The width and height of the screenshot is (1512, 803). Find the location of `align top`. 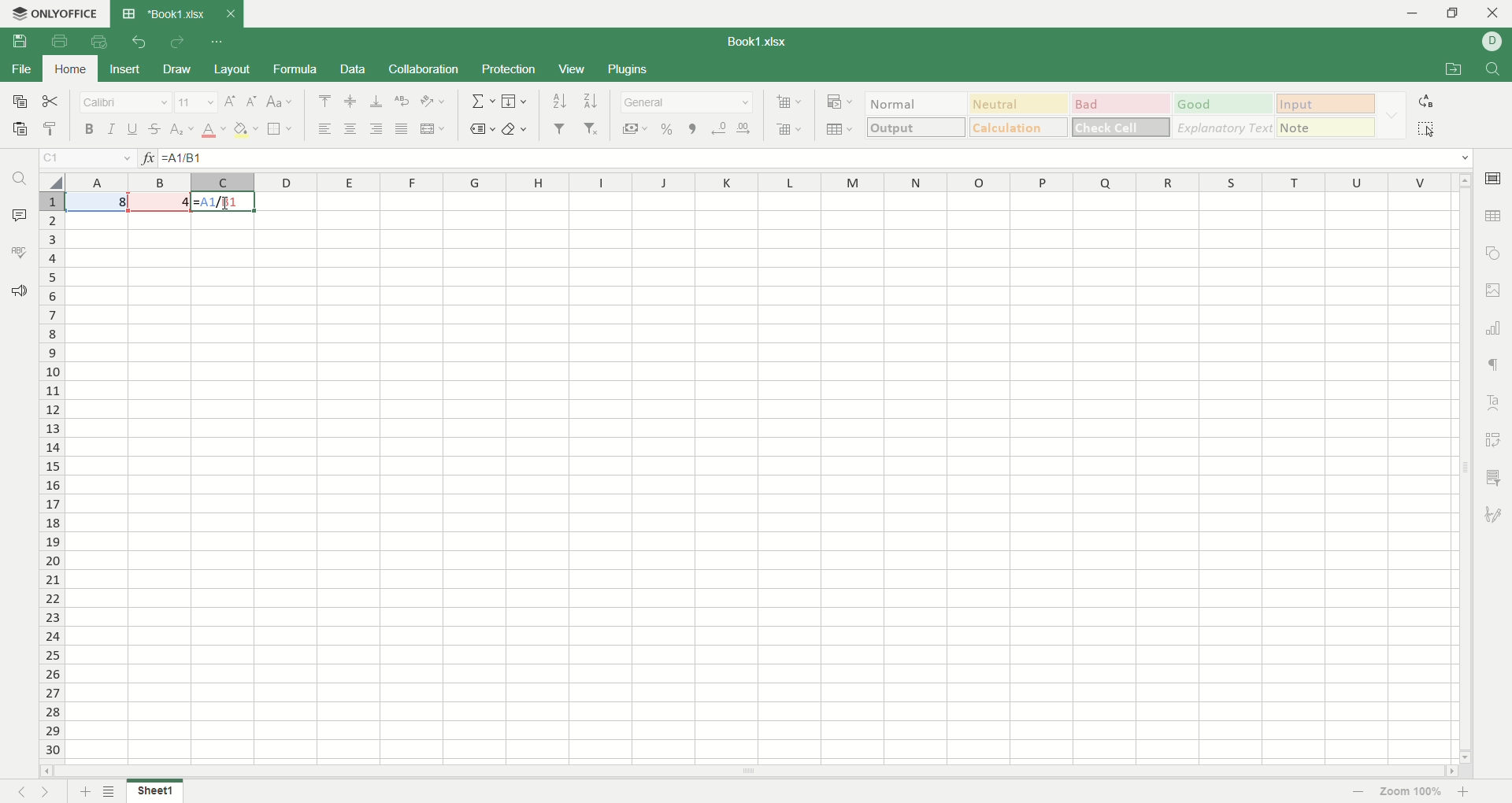

align top is located at coordinates (324, 101).